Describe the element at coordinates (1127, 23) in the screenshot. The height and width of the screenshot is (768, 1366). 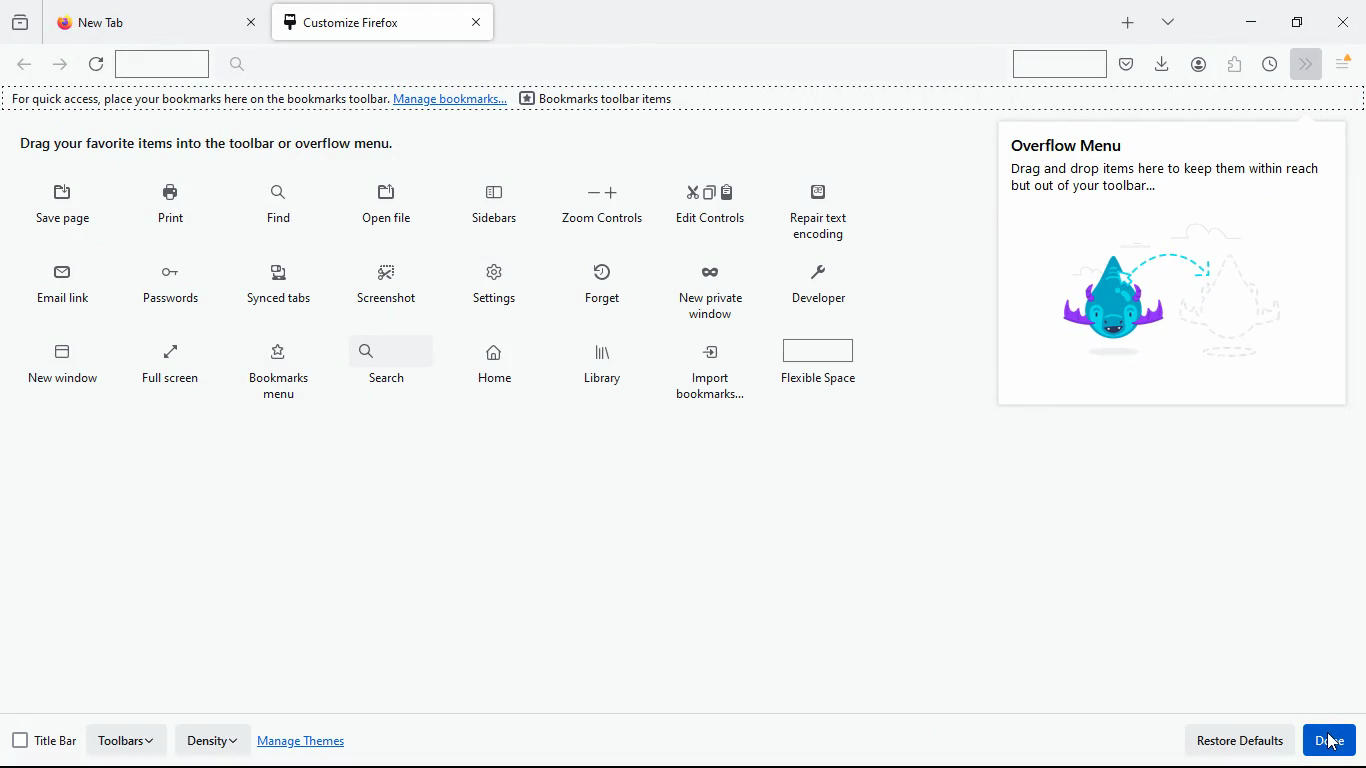
I see `add tab` at that location.